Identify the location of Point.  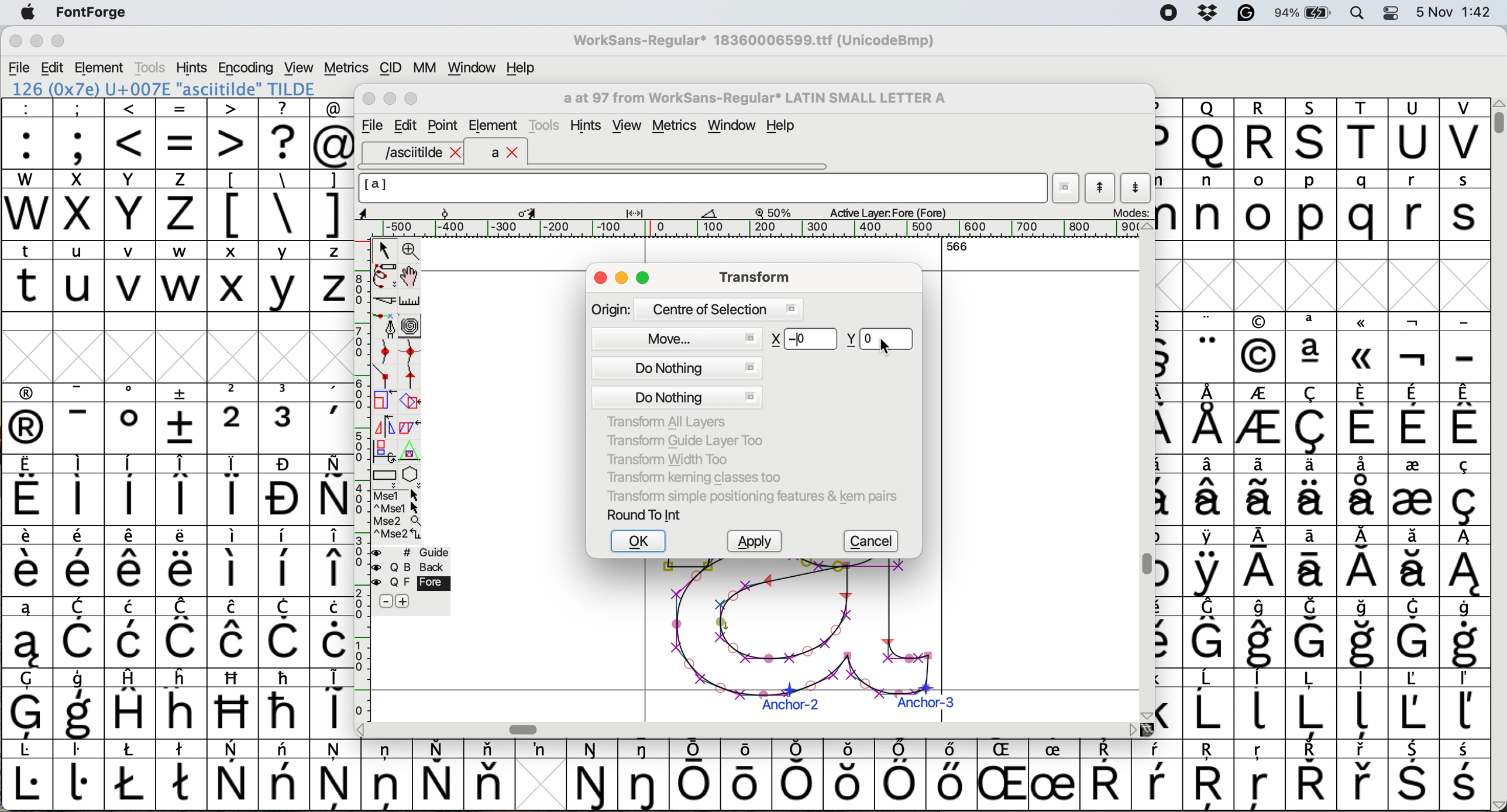
(444, 127).